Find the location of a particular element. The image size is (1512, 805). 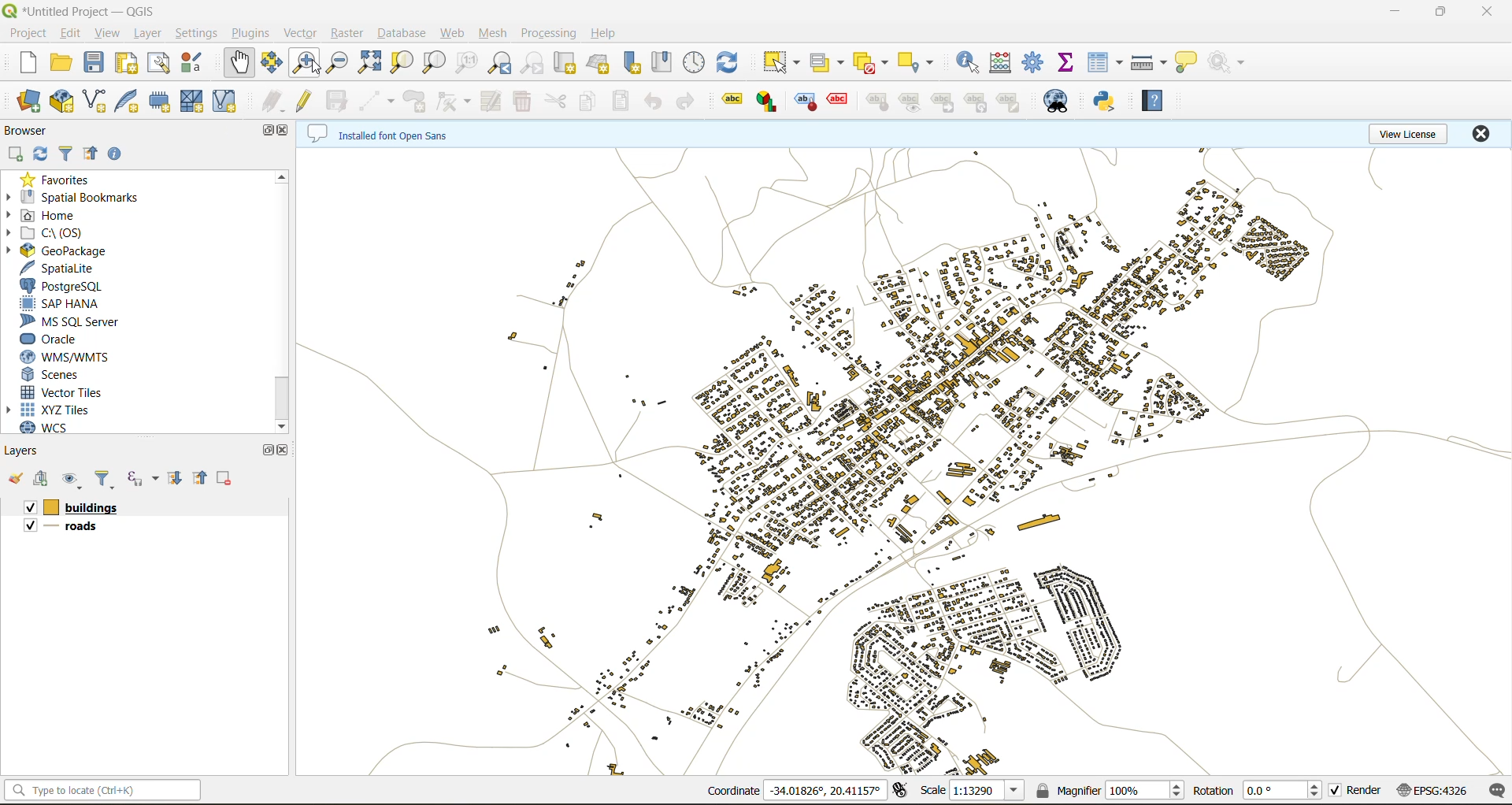

delete is located at coordinates (521, 102).